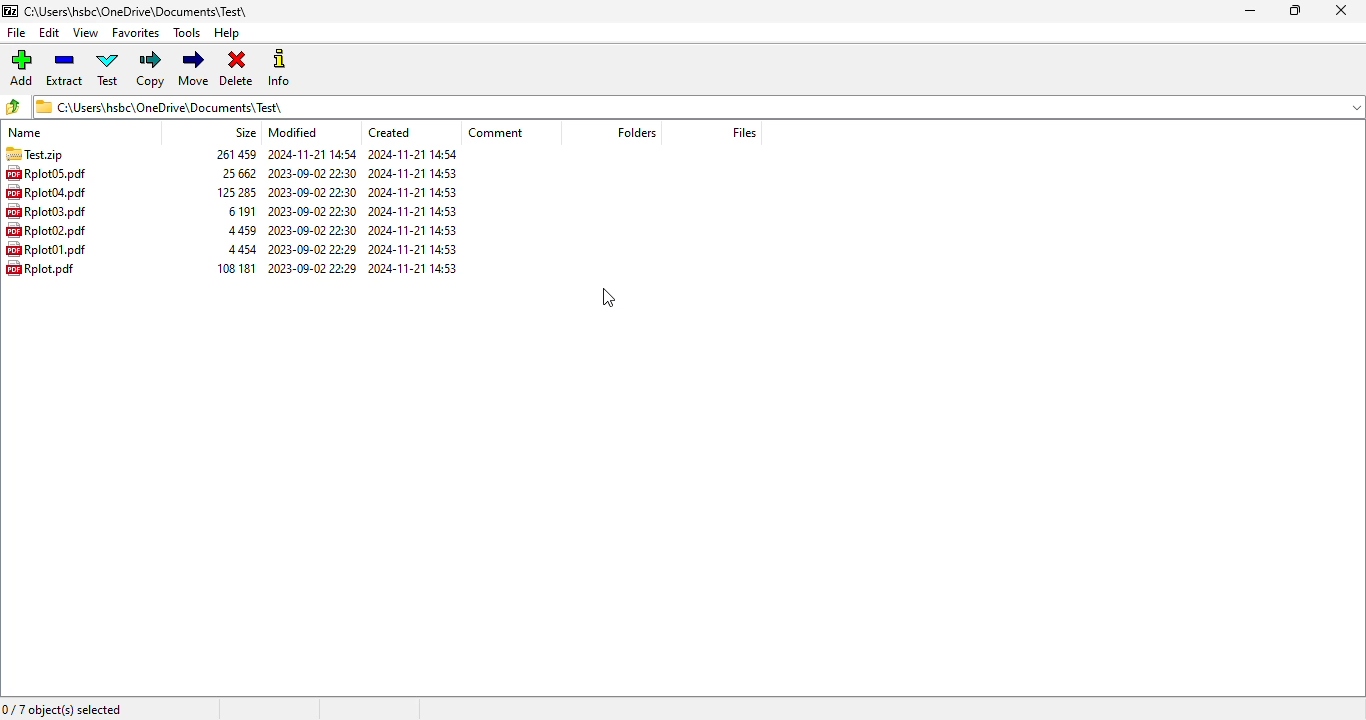 The width and height of the screenshot is (1366, 720). I want to click on minimize, so click(1249, 11).